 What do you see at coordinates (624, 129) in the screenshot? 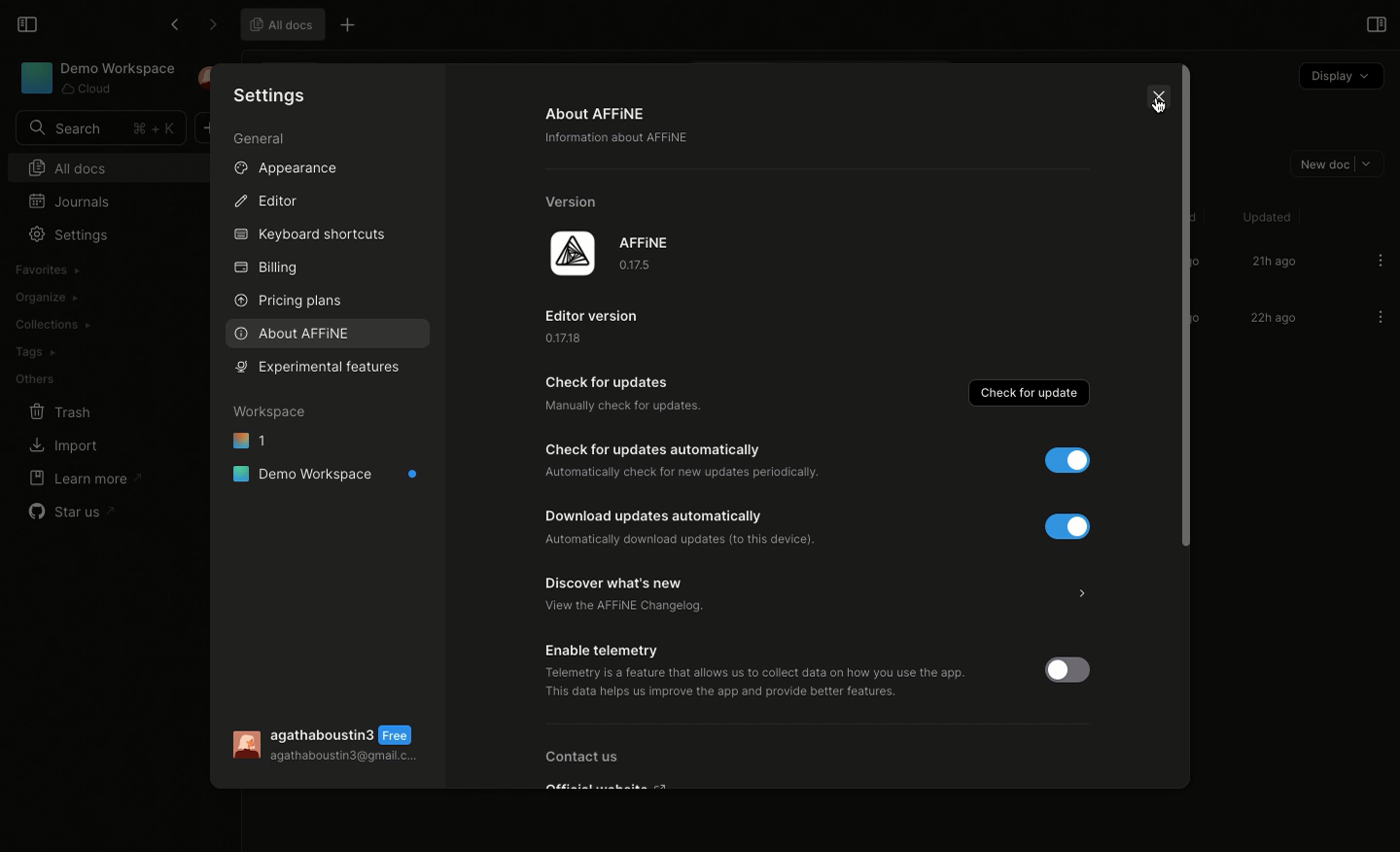
I see `About AFFINE` at bounding box center [624, 129].